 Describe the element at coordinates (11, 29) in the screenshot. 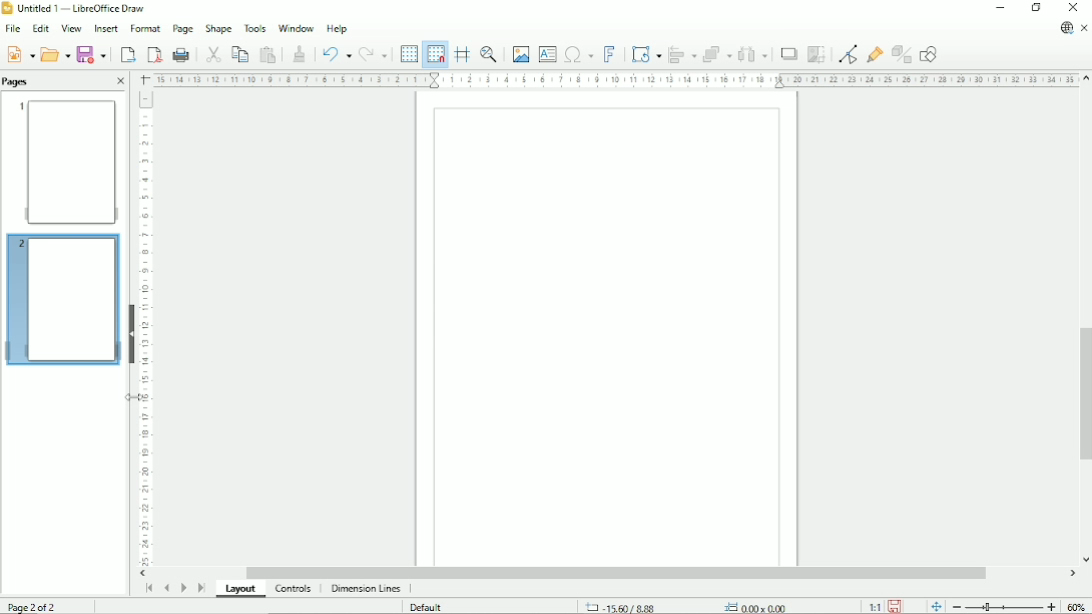

I see `File` at that location.